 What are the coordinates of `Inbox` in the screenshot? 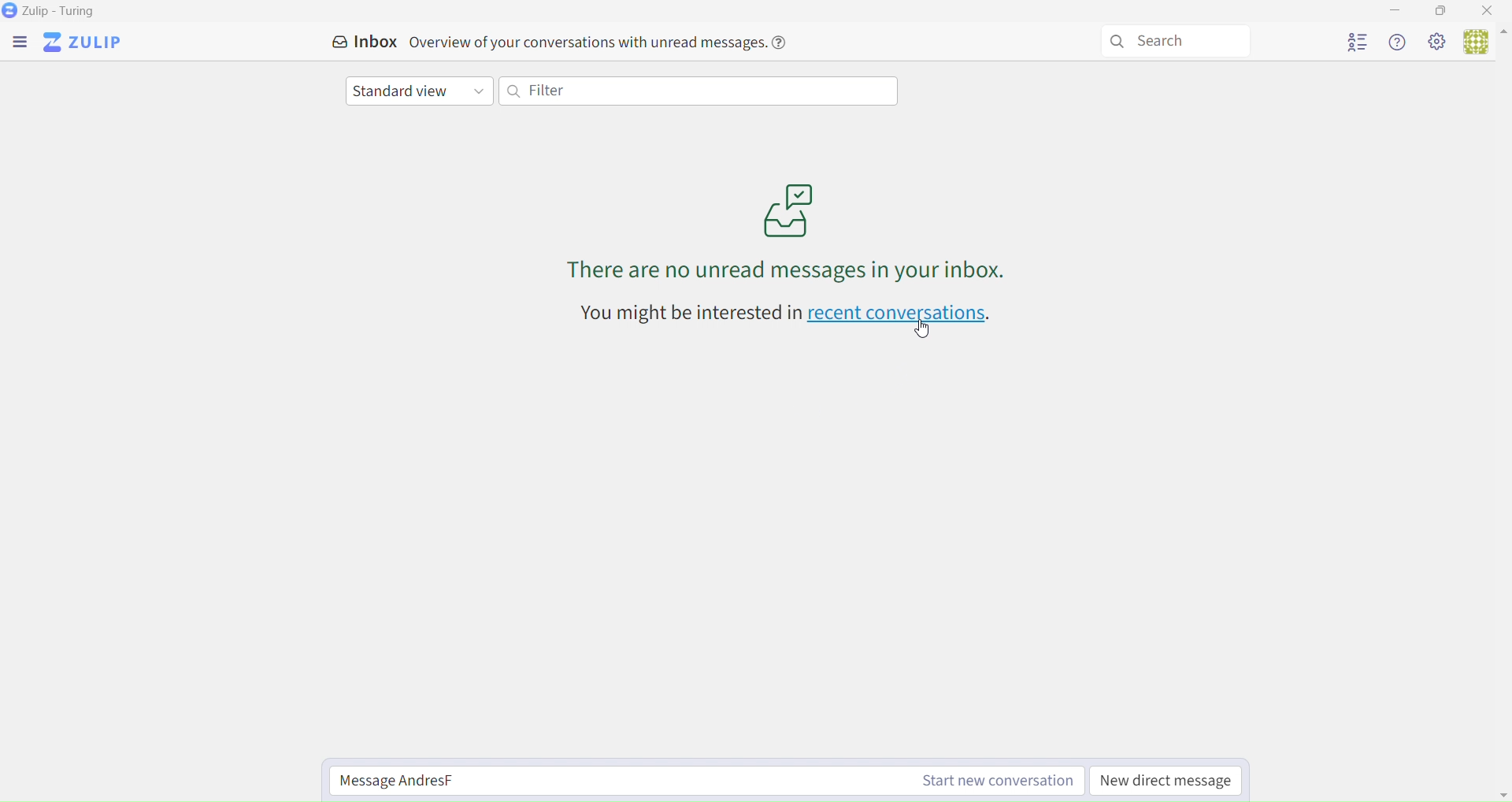 It's located at (560, 45).